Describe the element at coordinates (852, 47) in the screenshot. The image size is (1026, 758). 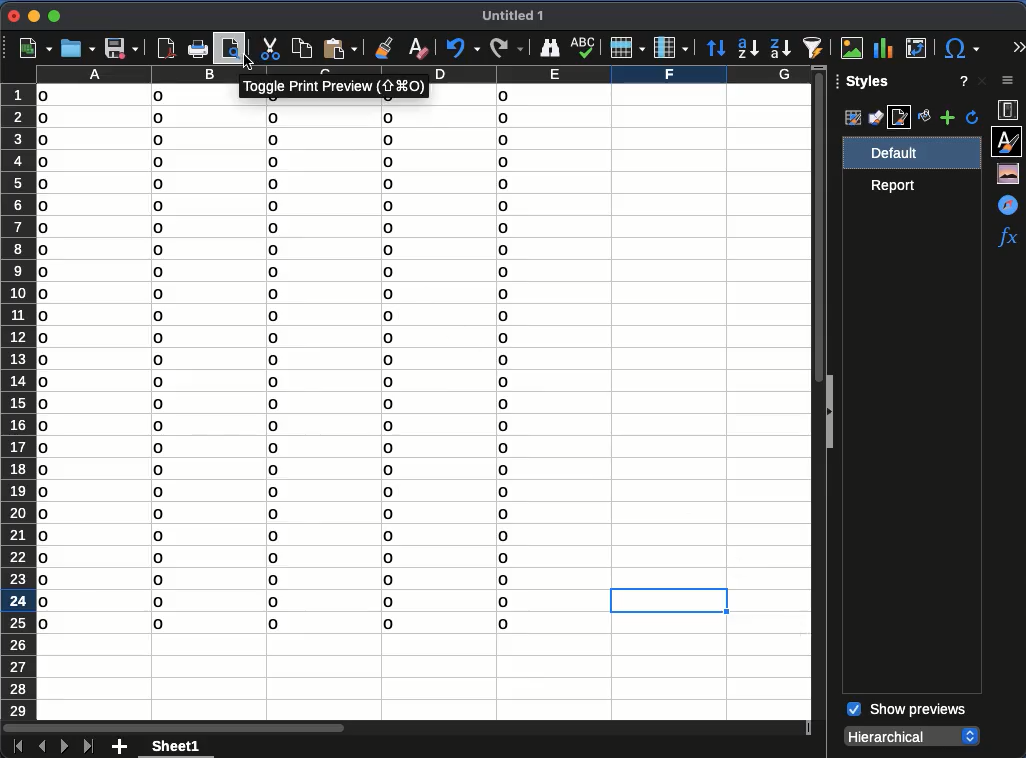
I see `image` at that location.